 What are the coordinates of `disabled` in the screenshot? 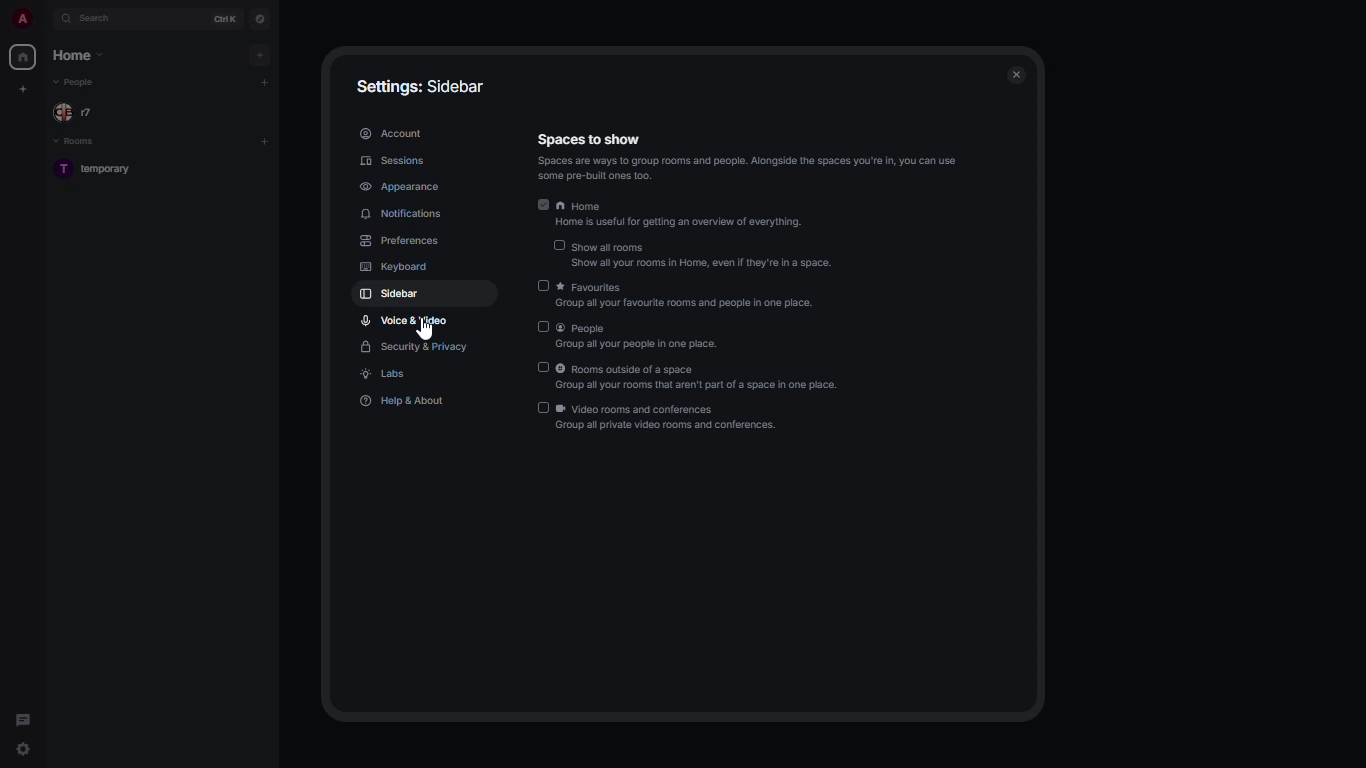 It's located at (542, 368).